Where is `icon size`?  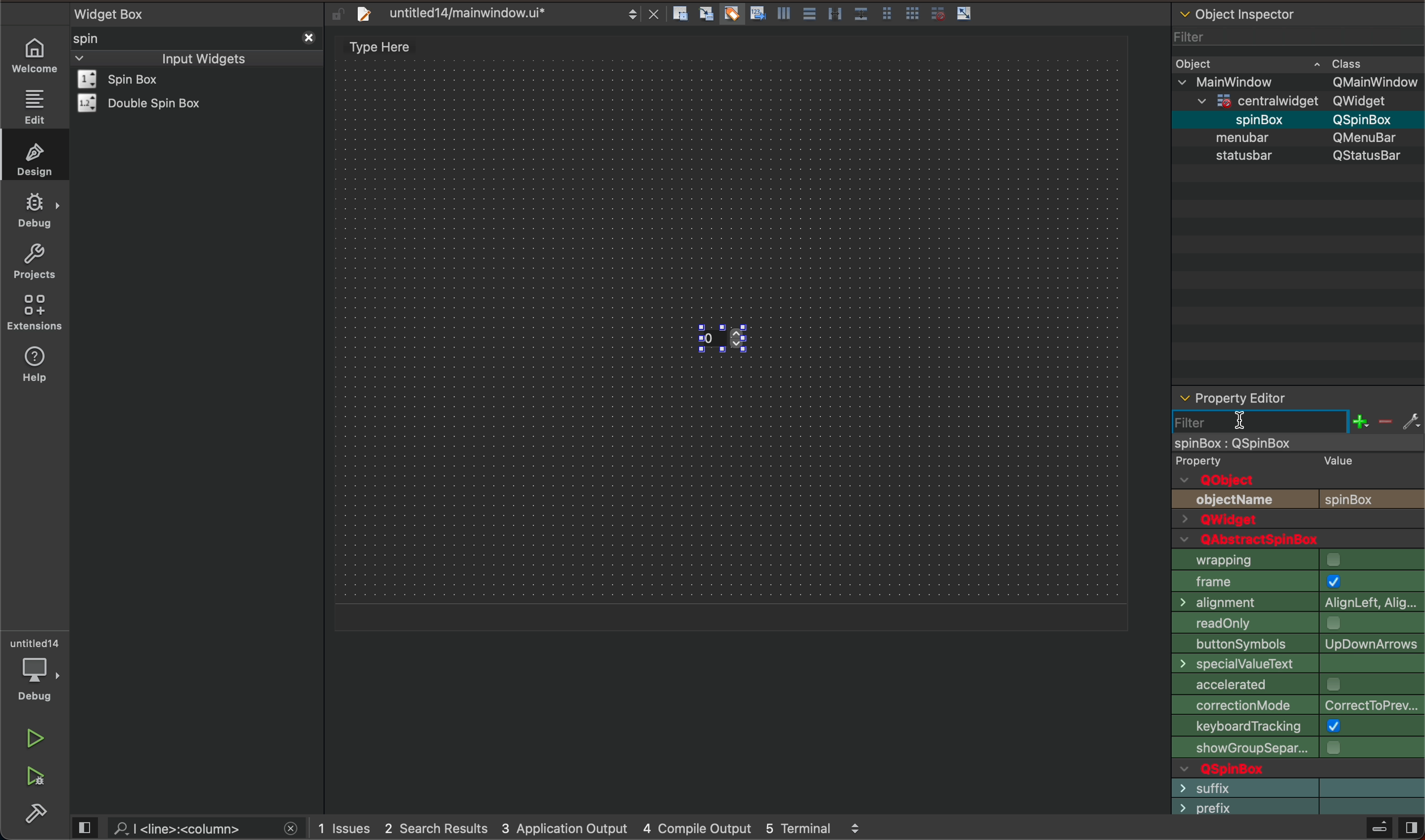
icon size is located at coordinates (1294, 558).